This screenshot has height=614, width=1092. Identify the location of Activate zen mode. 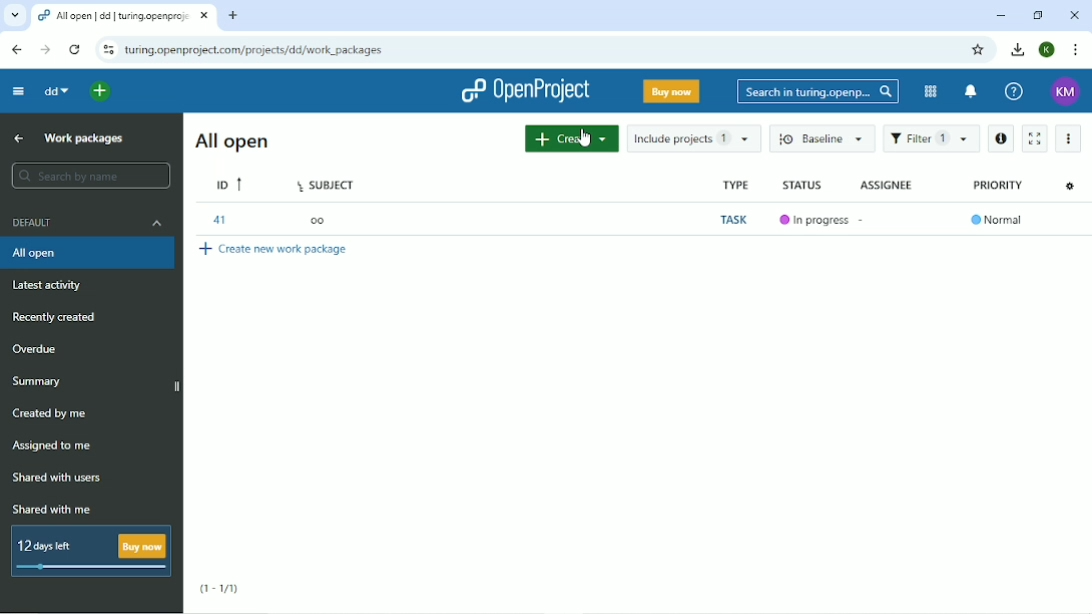
(1034, 139).